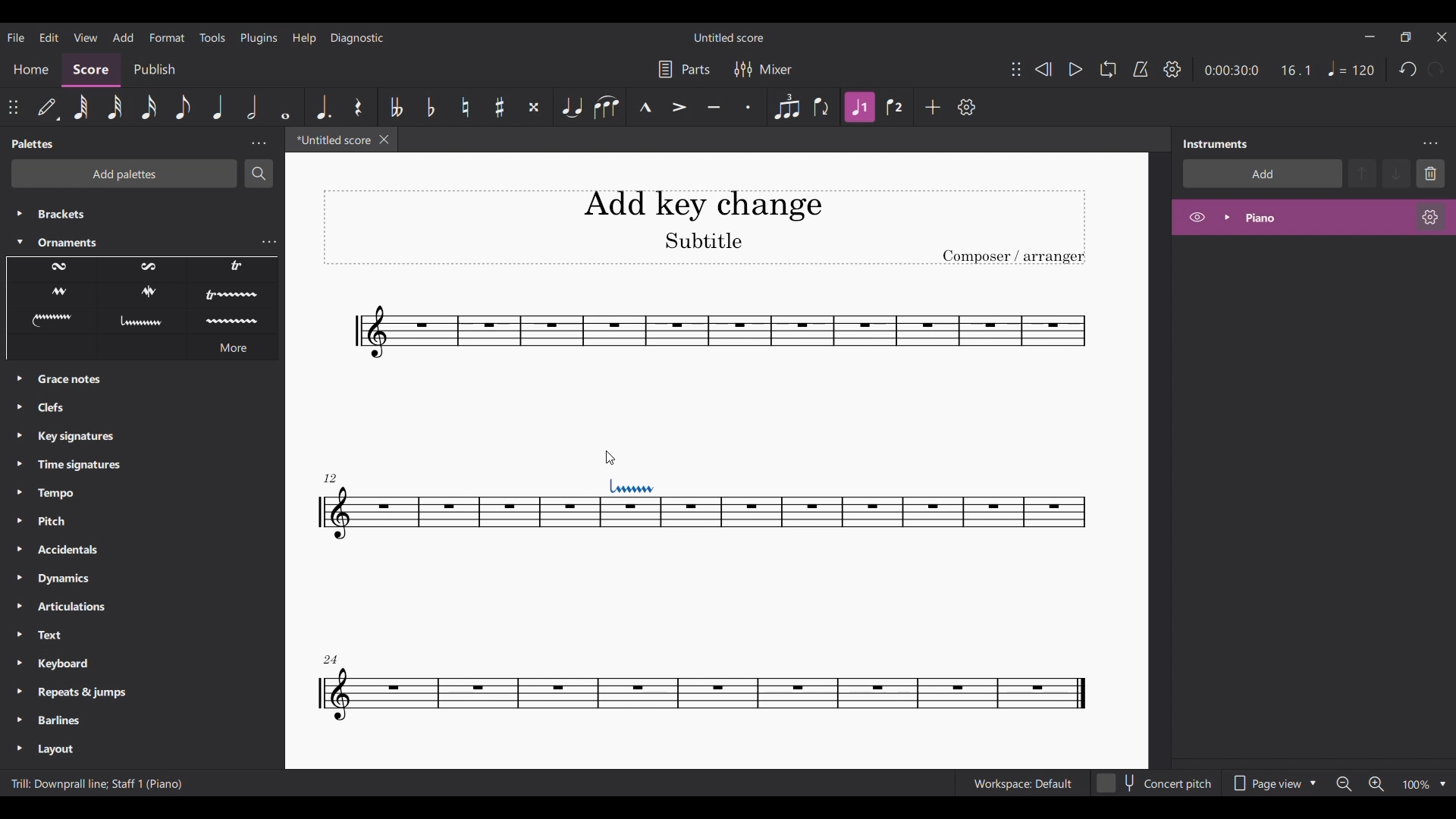 This screenshot has width=1456, height=819. Describe the element at coordinates (396, 107) in the screenshot. I see `Toggle double flat` at that location.